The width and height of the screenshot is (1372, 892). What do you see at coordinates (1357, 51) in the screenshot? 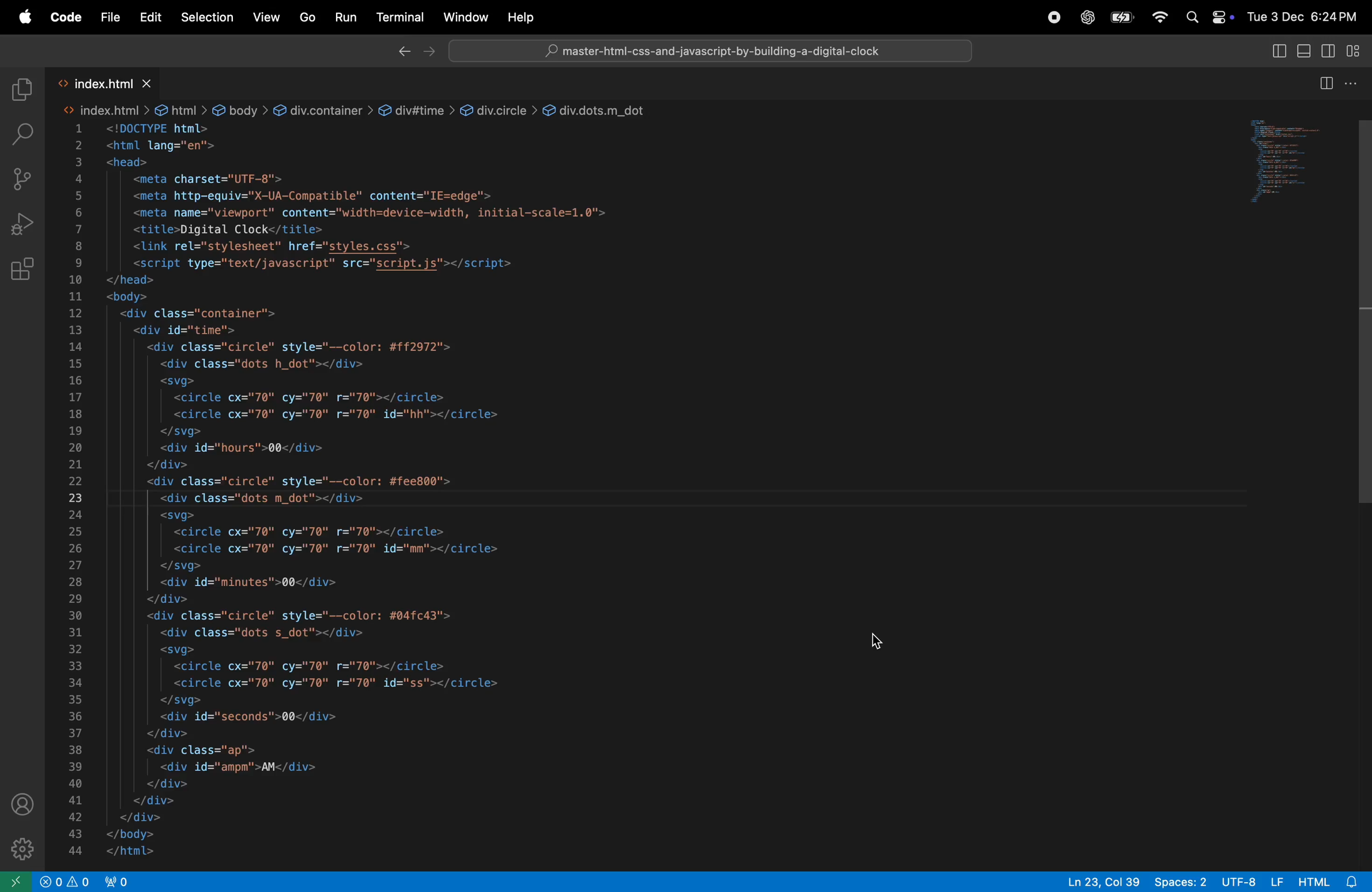
I see `customize layout` at bounding box center [1357, 51].